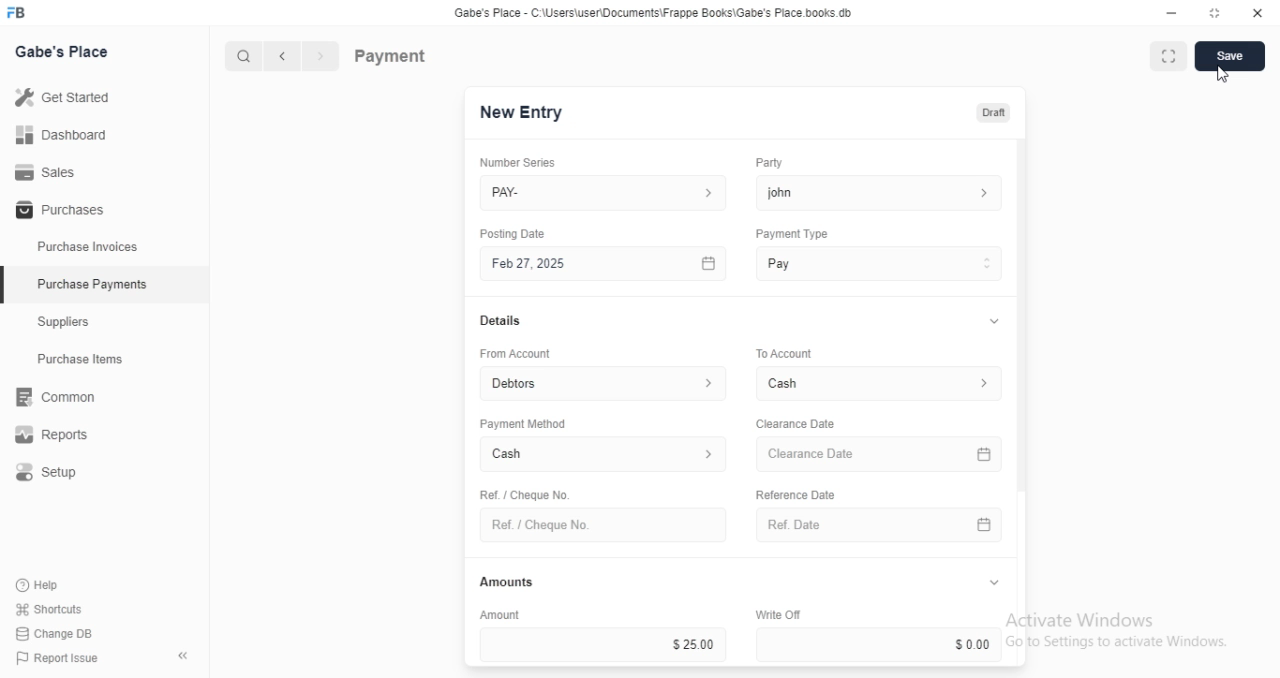  What do you see at coordinates (1213, 13) in the screenshot?
I see `resize` at bounding box center [1213, 13].